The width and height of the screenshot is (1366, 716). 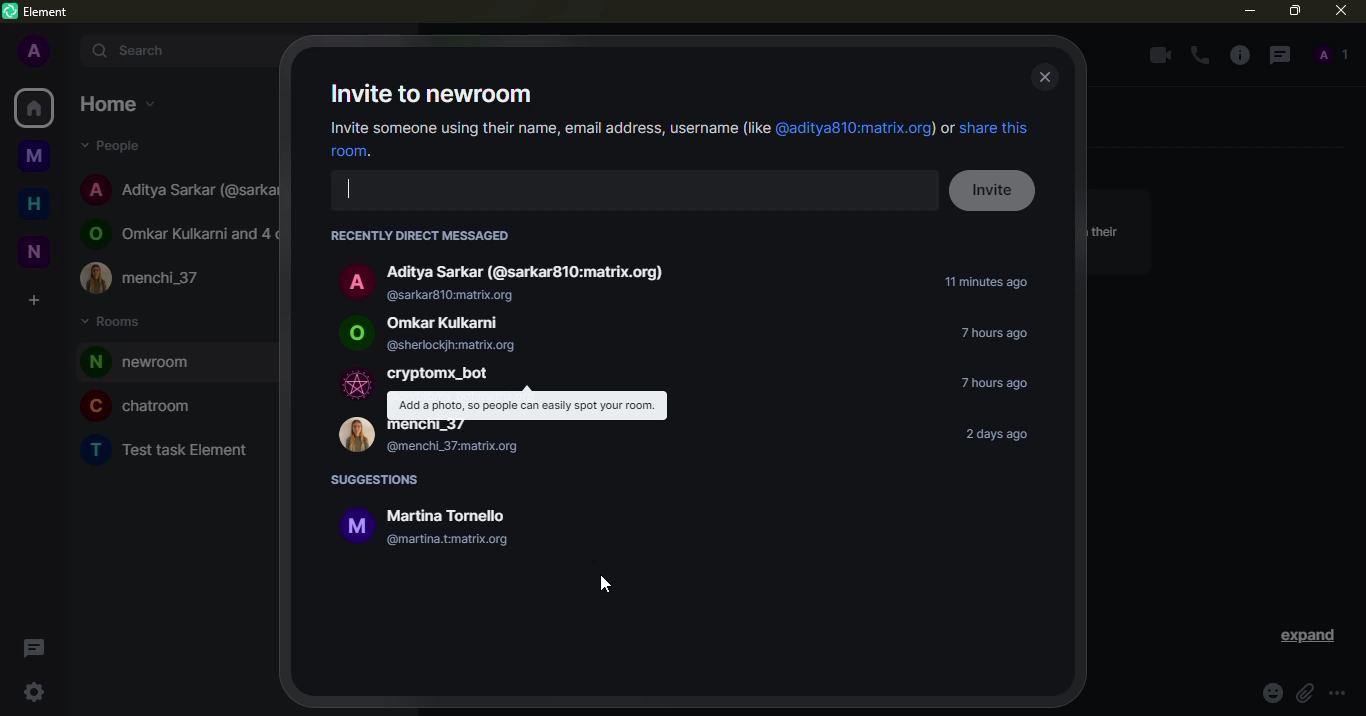 I want to click on room added, so click(x=151, y=362).